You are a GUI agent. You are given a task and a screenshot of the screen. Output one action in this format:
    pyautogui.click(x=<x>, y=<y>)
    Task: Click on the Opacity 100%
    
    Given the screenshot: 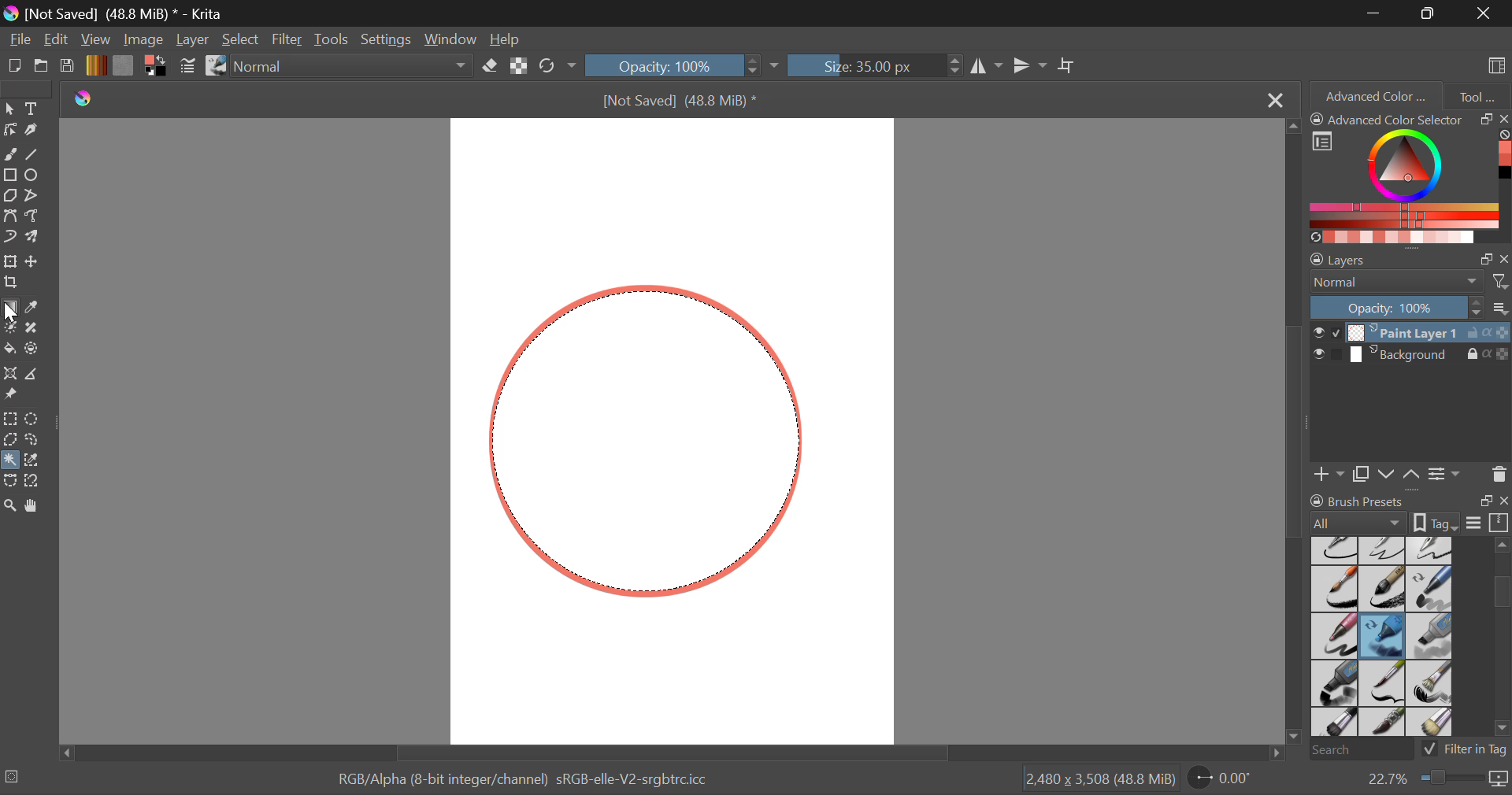 What is the action you would take?
    pyautogui.click(x=675, y=65)
    